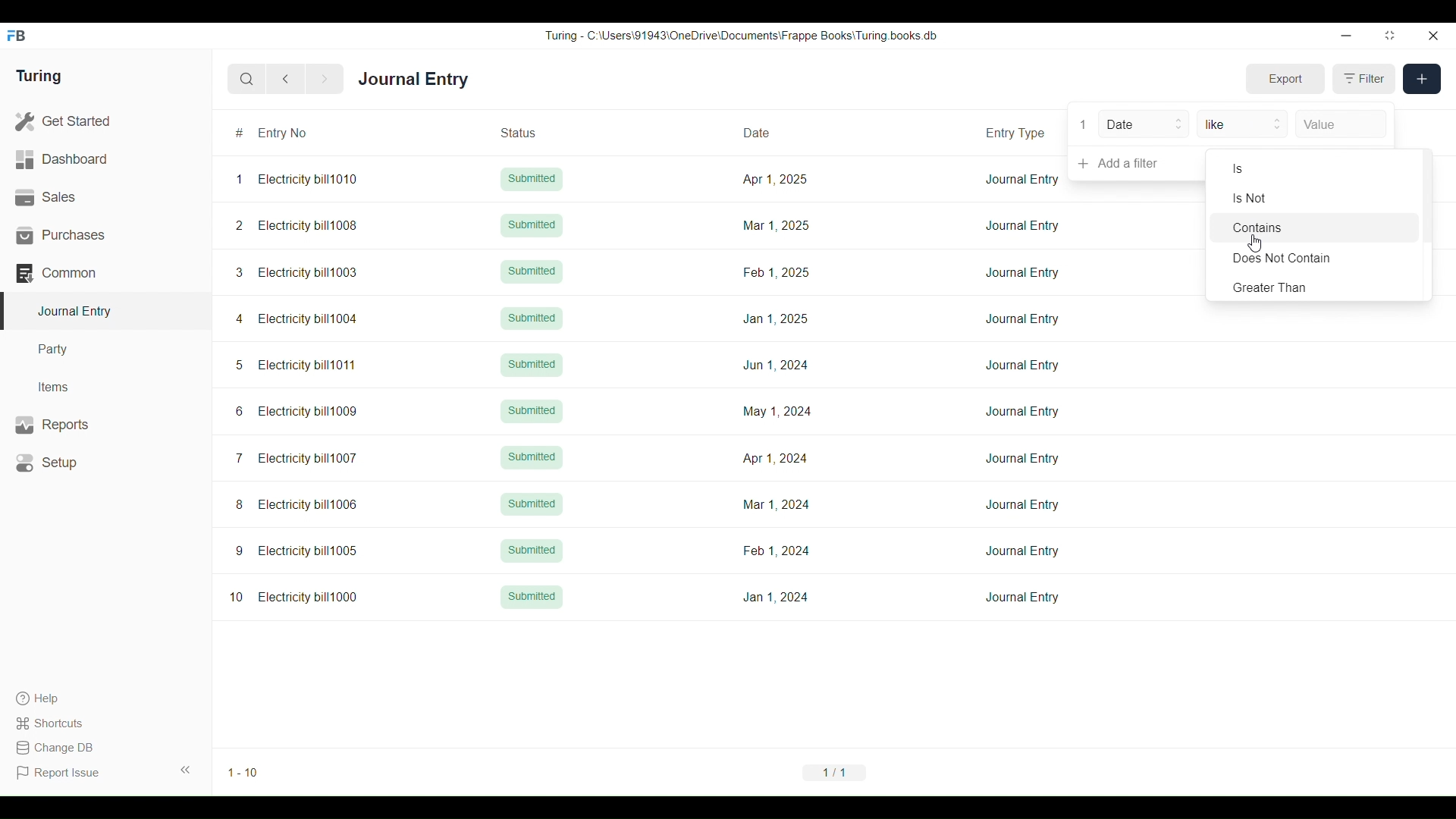 This screenshot has width=1456, height=819. What do you see at coordinates (1144, 124) in the screenshot?
I see `Date` at bounding box center [1144, 124].